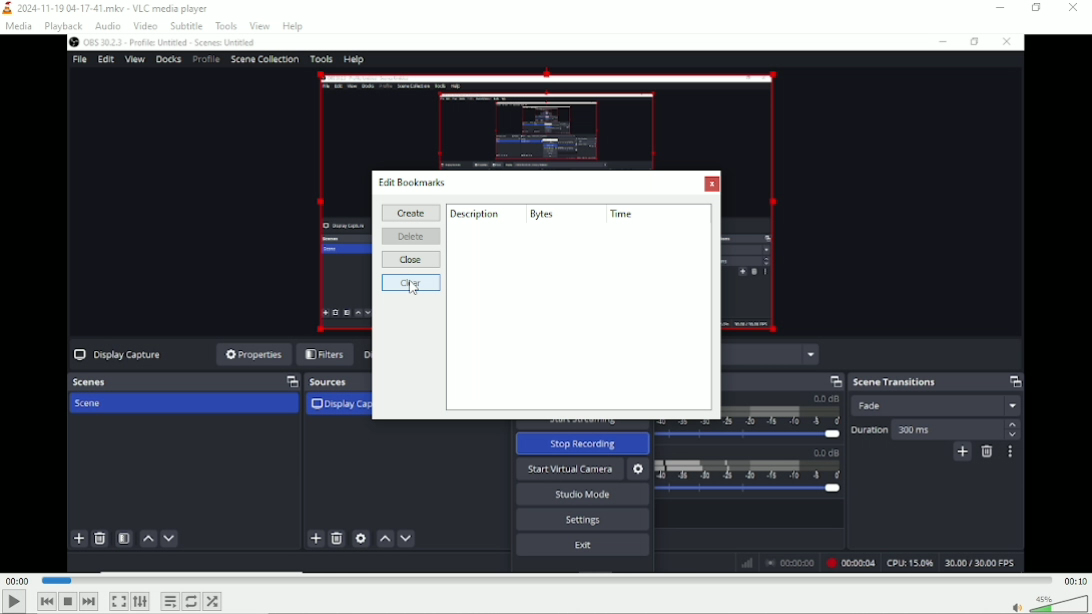  I want to click on Time, so click(626, 215).